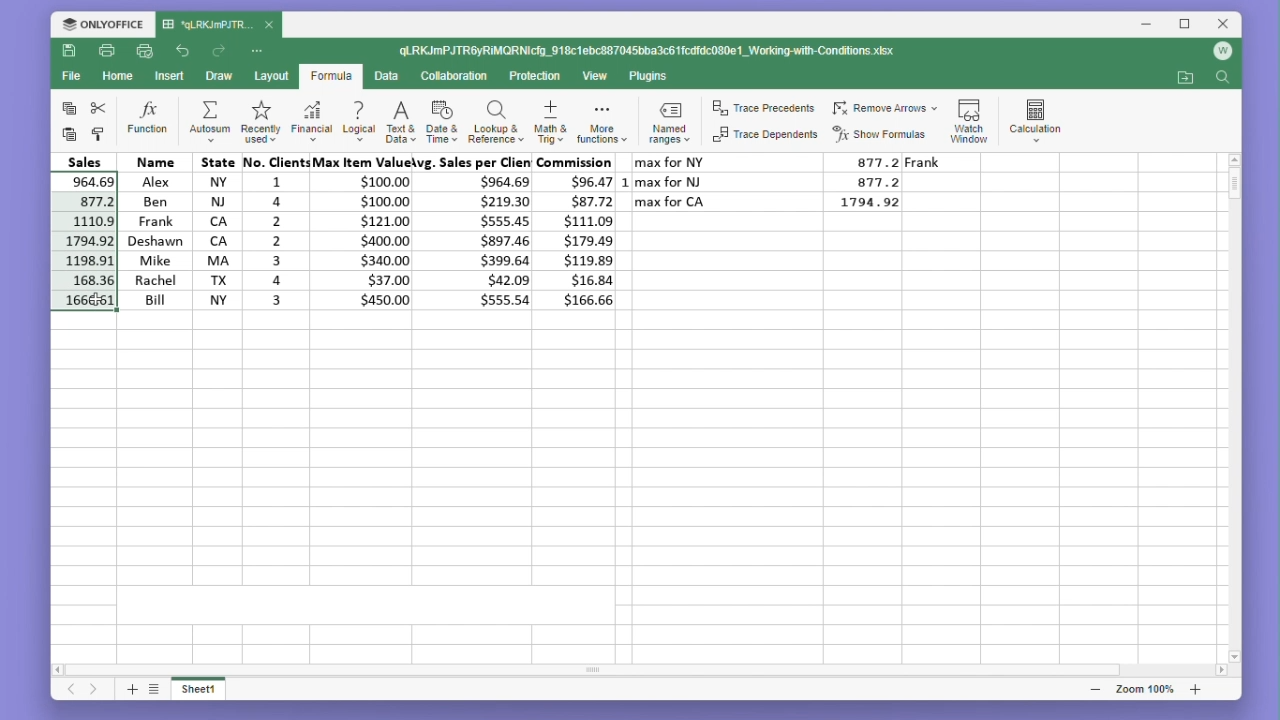 This screenshot has width=1280, height=720. What do you see at coordinates (95, 691) in the screenshot?
I see `Next sheet` at bounding box center [95, 691].